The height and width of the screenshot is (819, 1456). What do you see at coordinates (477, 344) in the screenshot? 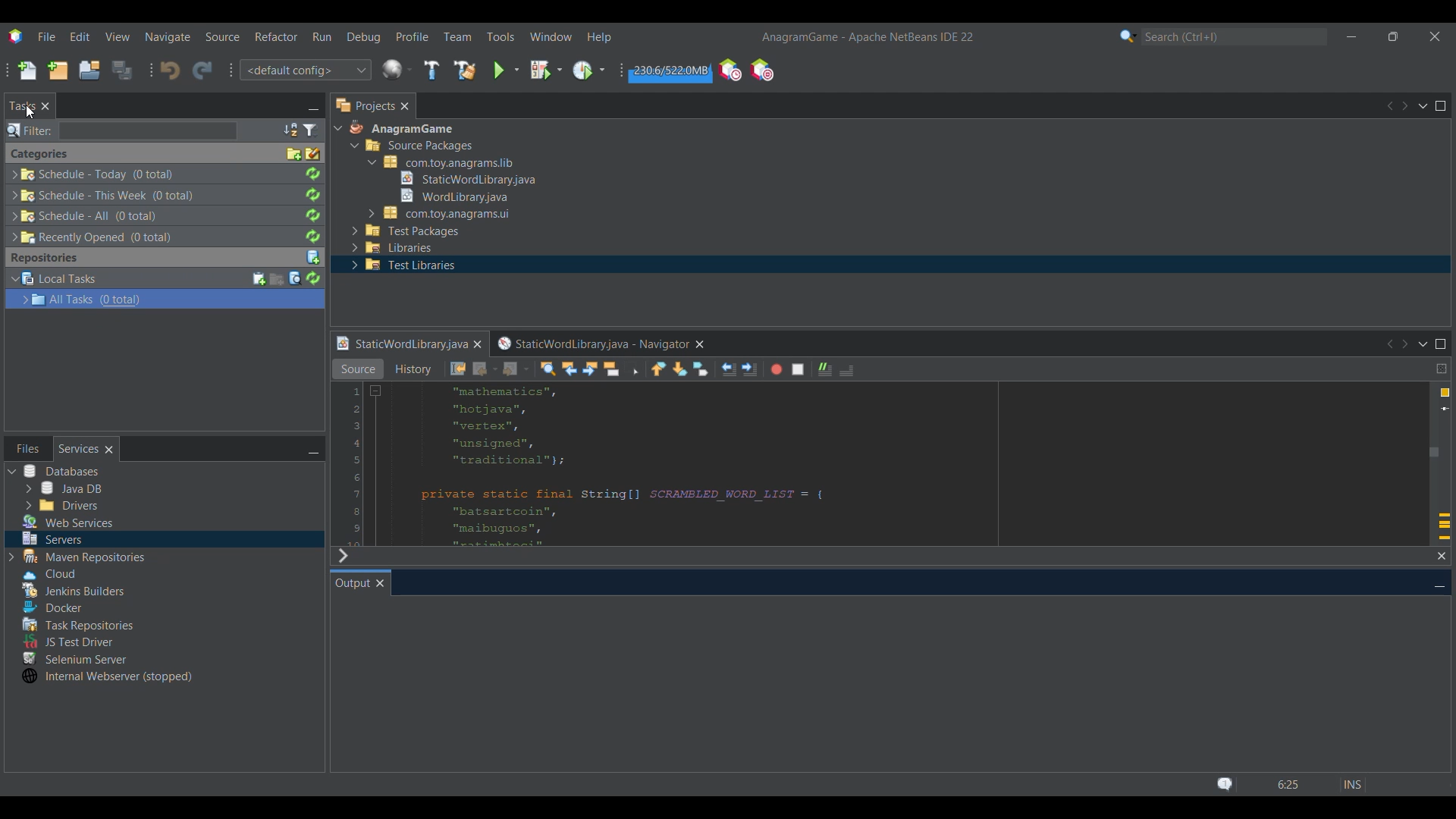
I see `Close` at bounding box center [477, 344].